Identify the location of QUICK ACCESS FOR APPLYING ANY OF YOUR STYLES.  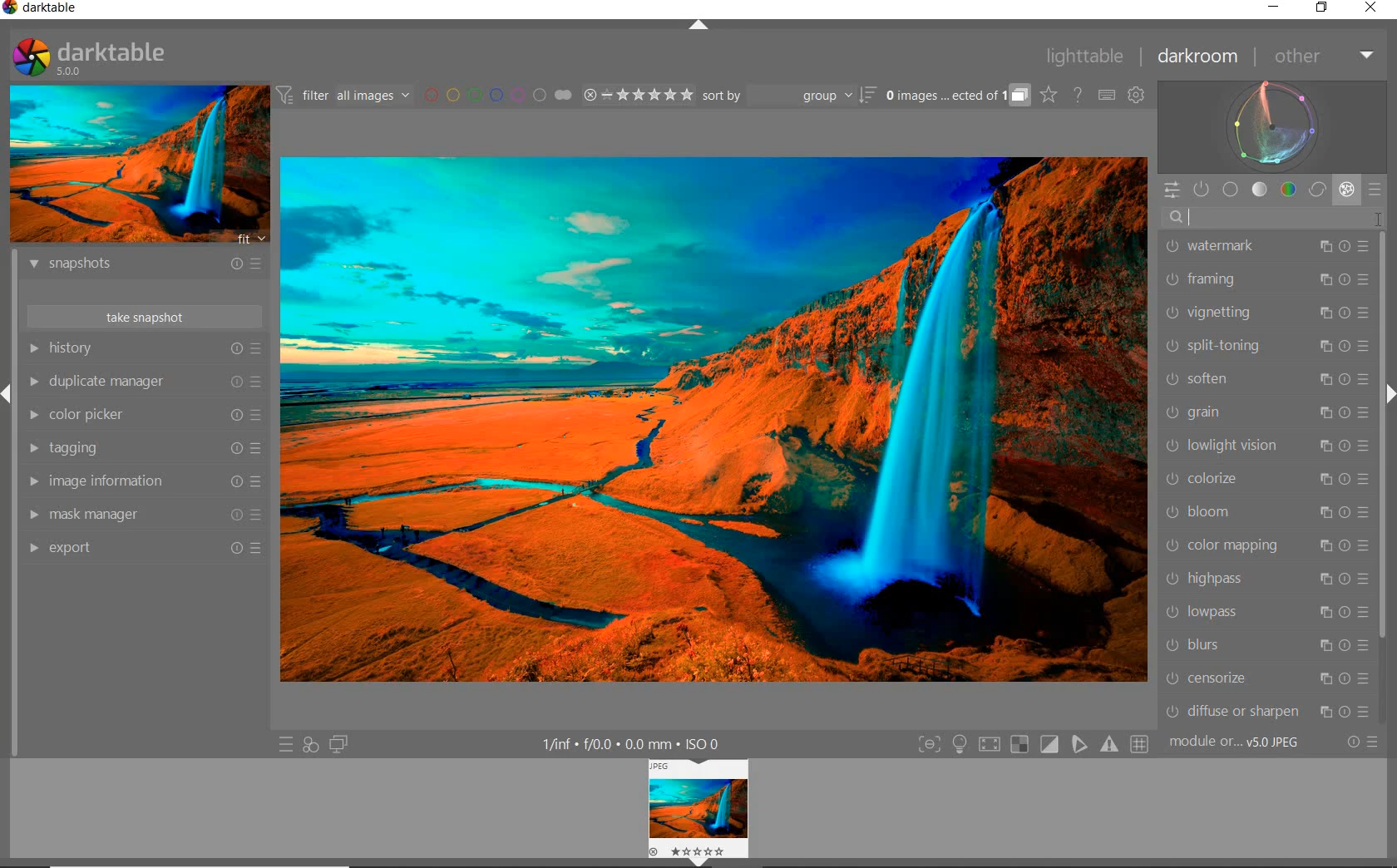
(309, 746).